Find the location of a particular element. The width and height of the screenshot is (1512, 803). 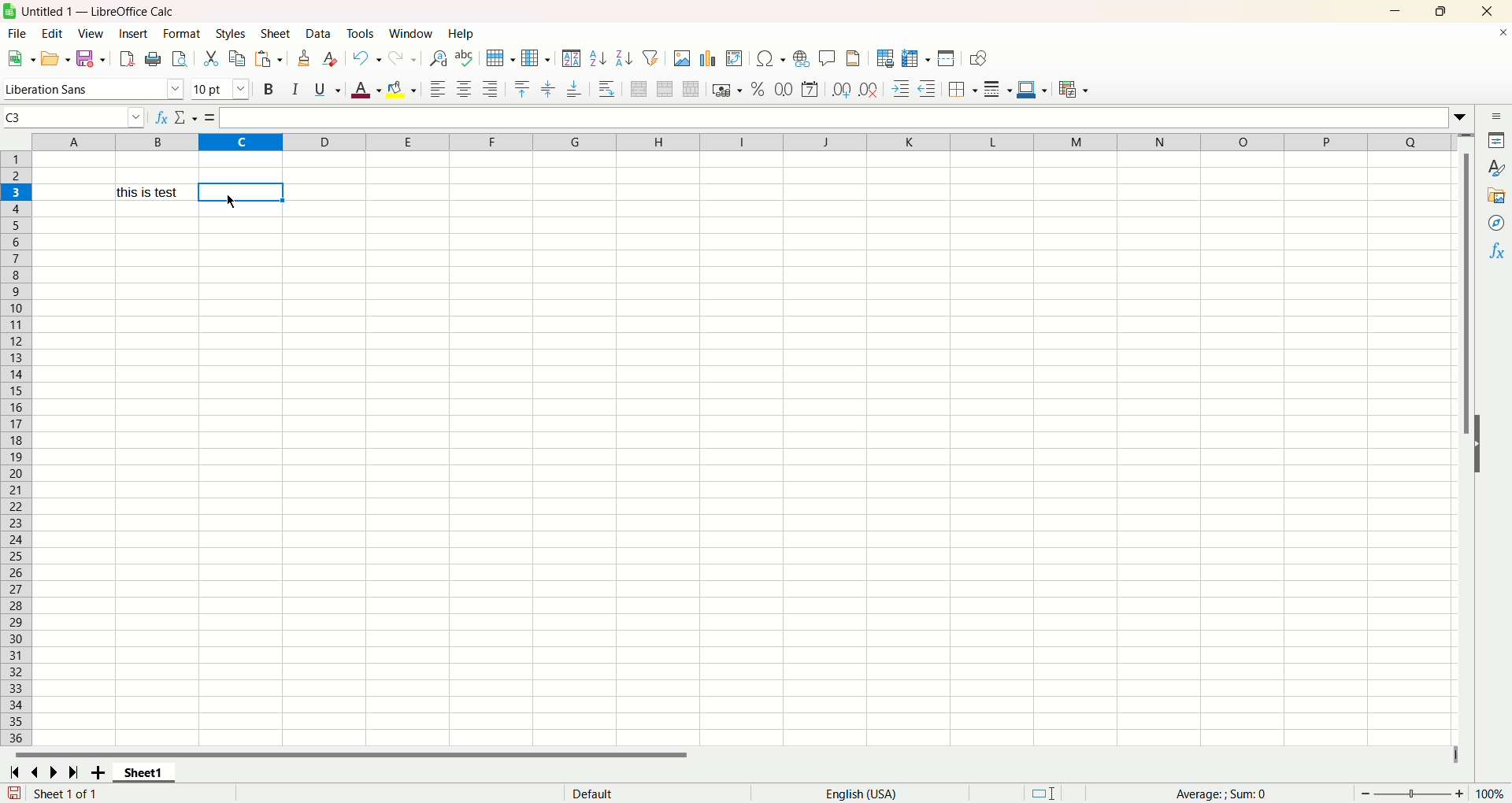

document name is located at coordinates (164, 12).